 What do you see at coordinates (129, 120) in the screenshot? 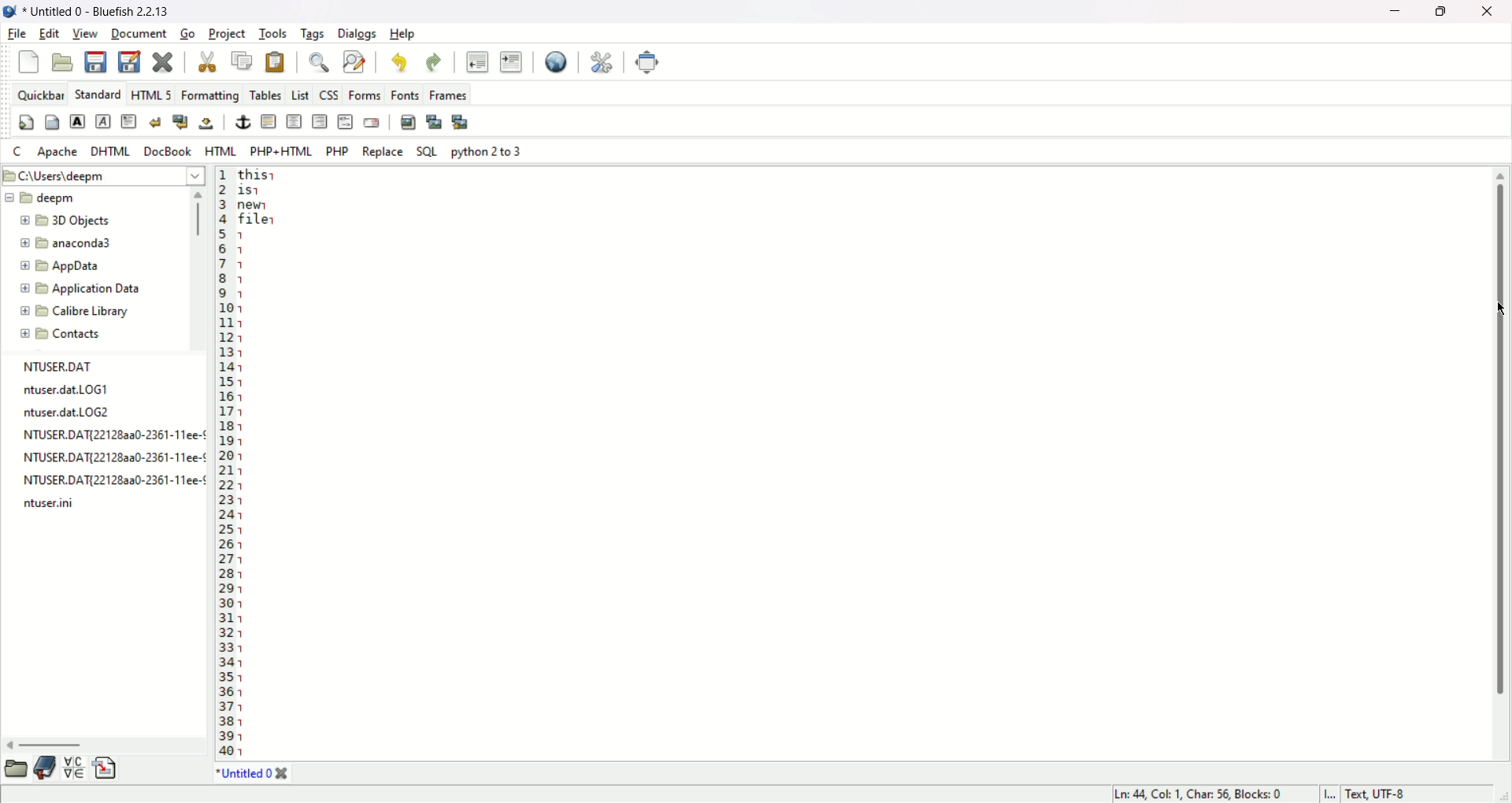
I see `paragraph` at bounding box center [129, 120].